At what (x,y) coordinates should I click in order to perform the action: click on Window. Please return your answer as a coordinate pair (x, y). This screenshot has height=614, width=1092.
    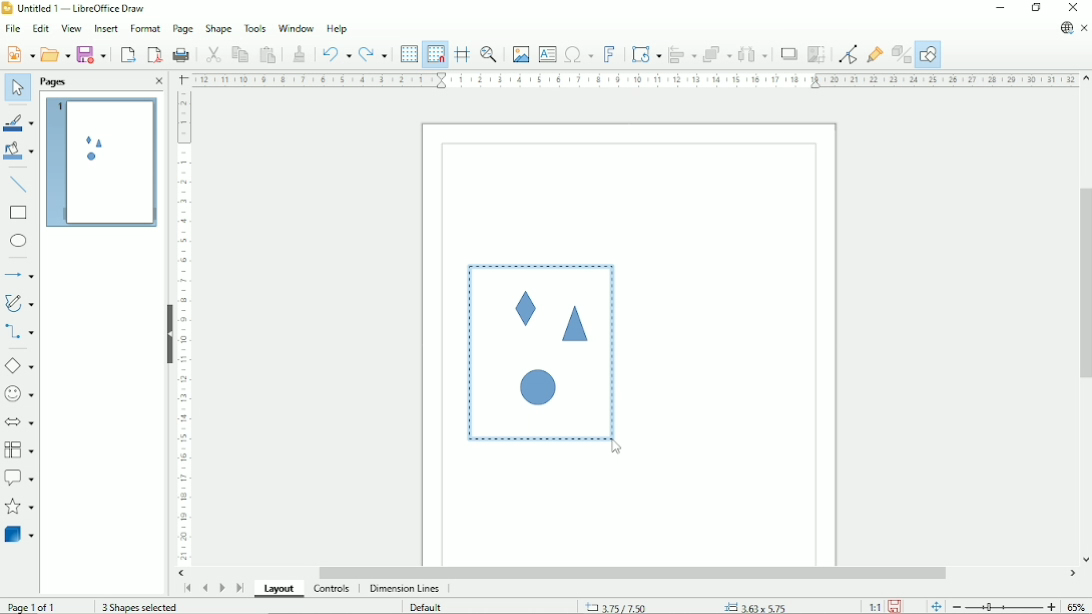
    Looking at the image, I should click on (294, 28).